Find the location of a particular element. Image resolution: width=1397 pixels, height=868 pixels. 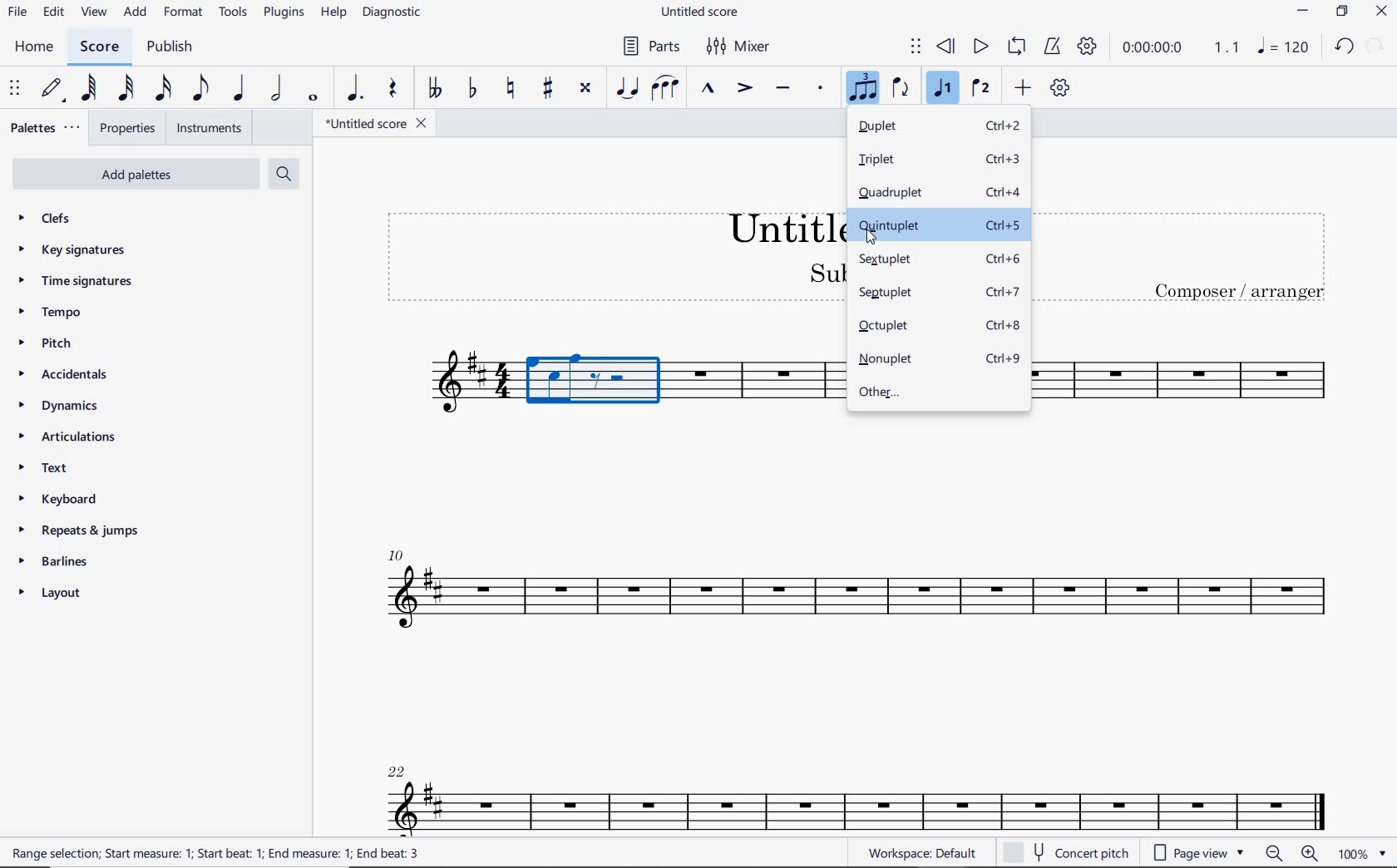

Tuplet is located at coordinates (864, 90).